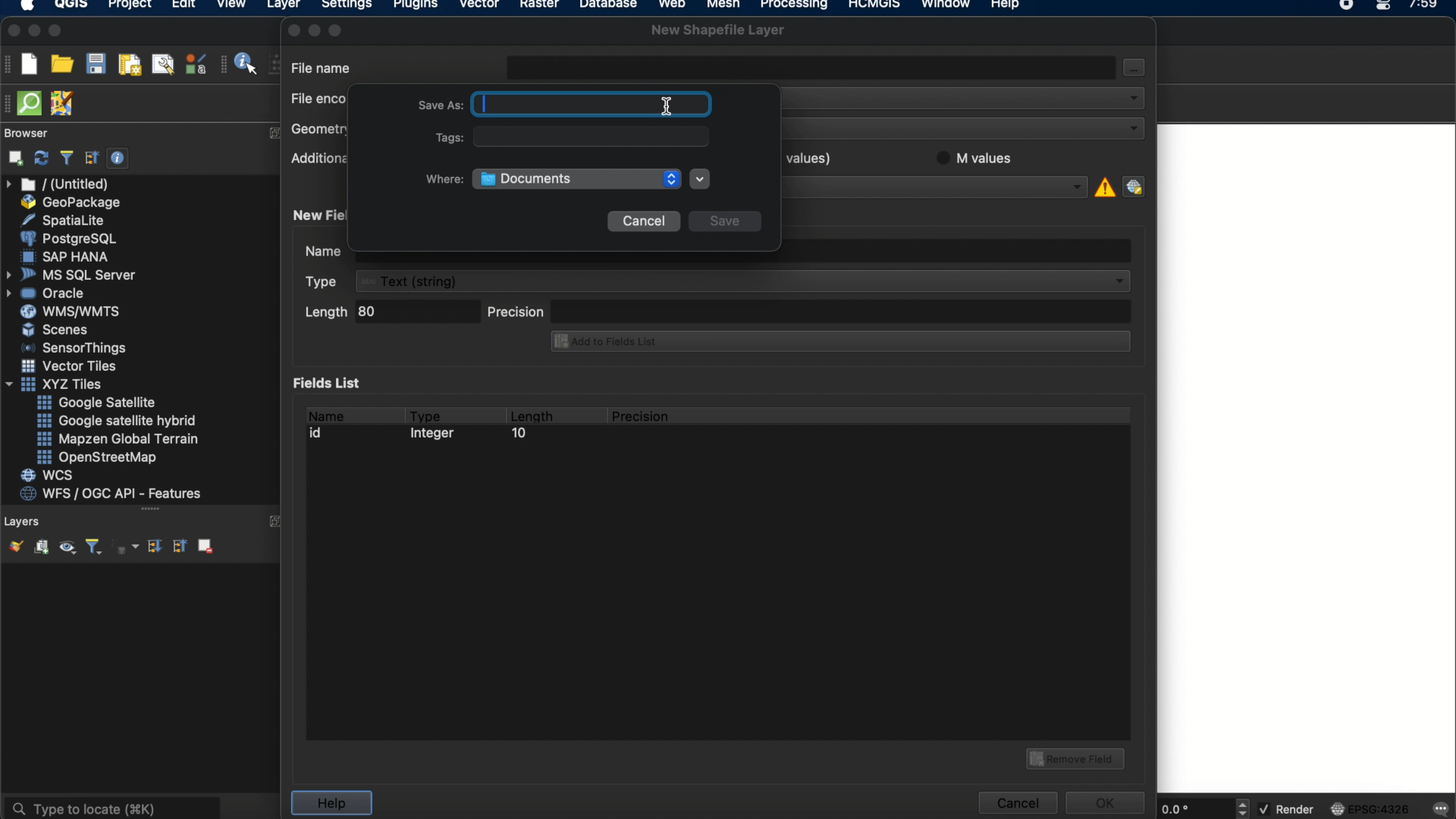  I want to click on more, so click(145, 510).